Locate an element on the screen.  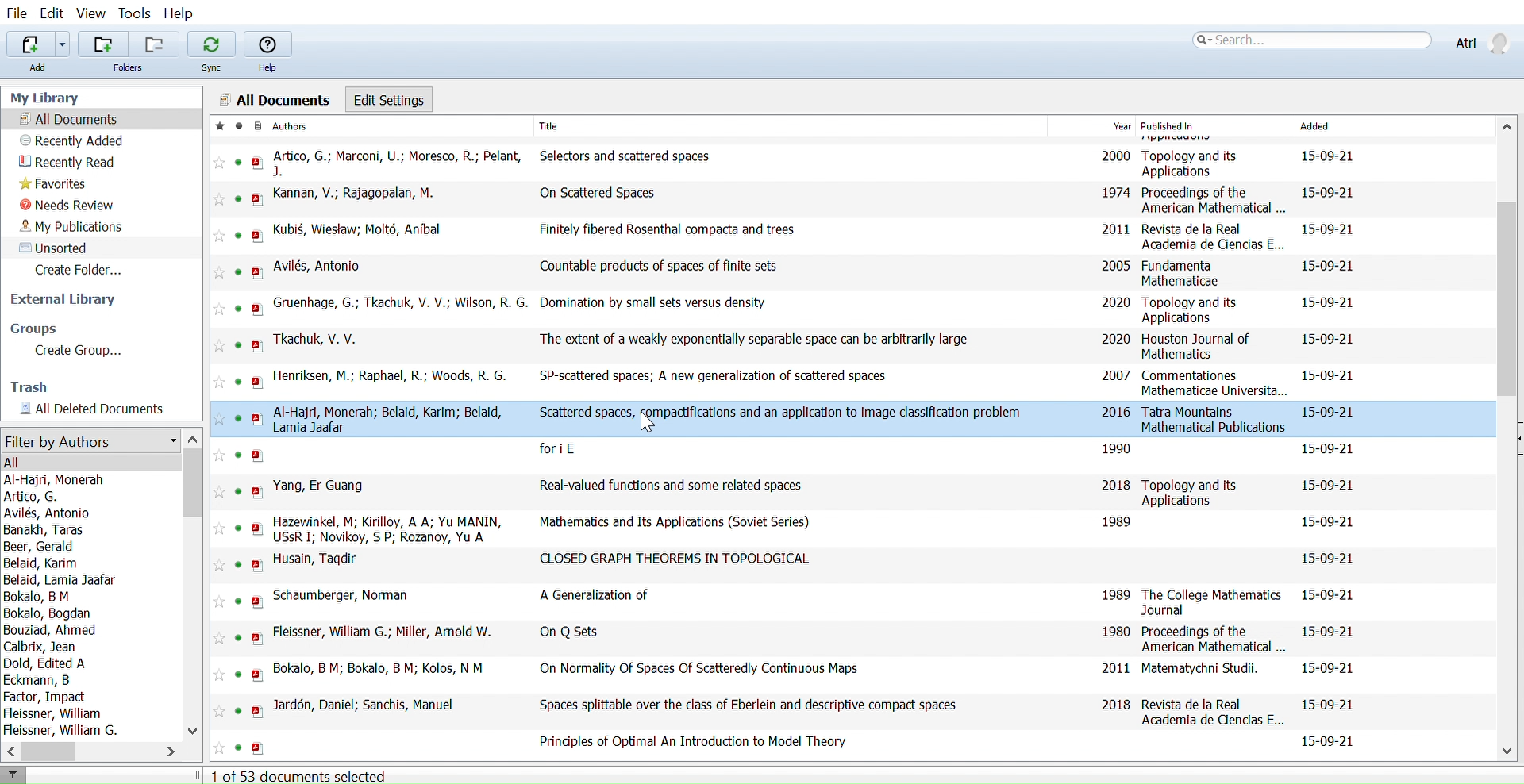
Henriksen, M; Raphael, R; Woods, R.G. is located at coordinates (388, 375).